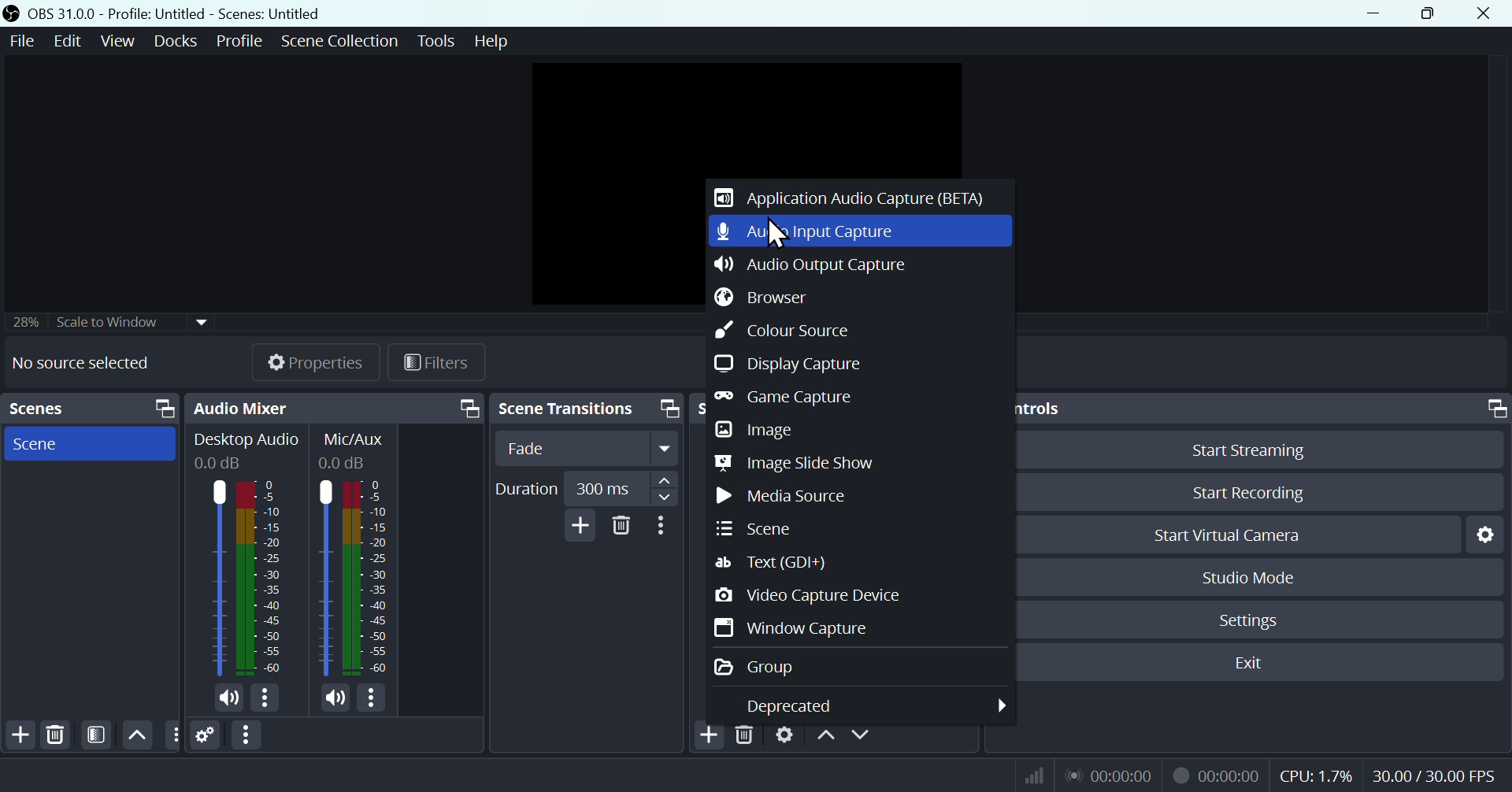  Describe the element at coordinates (439, 41) in the screenshot. I see `Tools` at that location.